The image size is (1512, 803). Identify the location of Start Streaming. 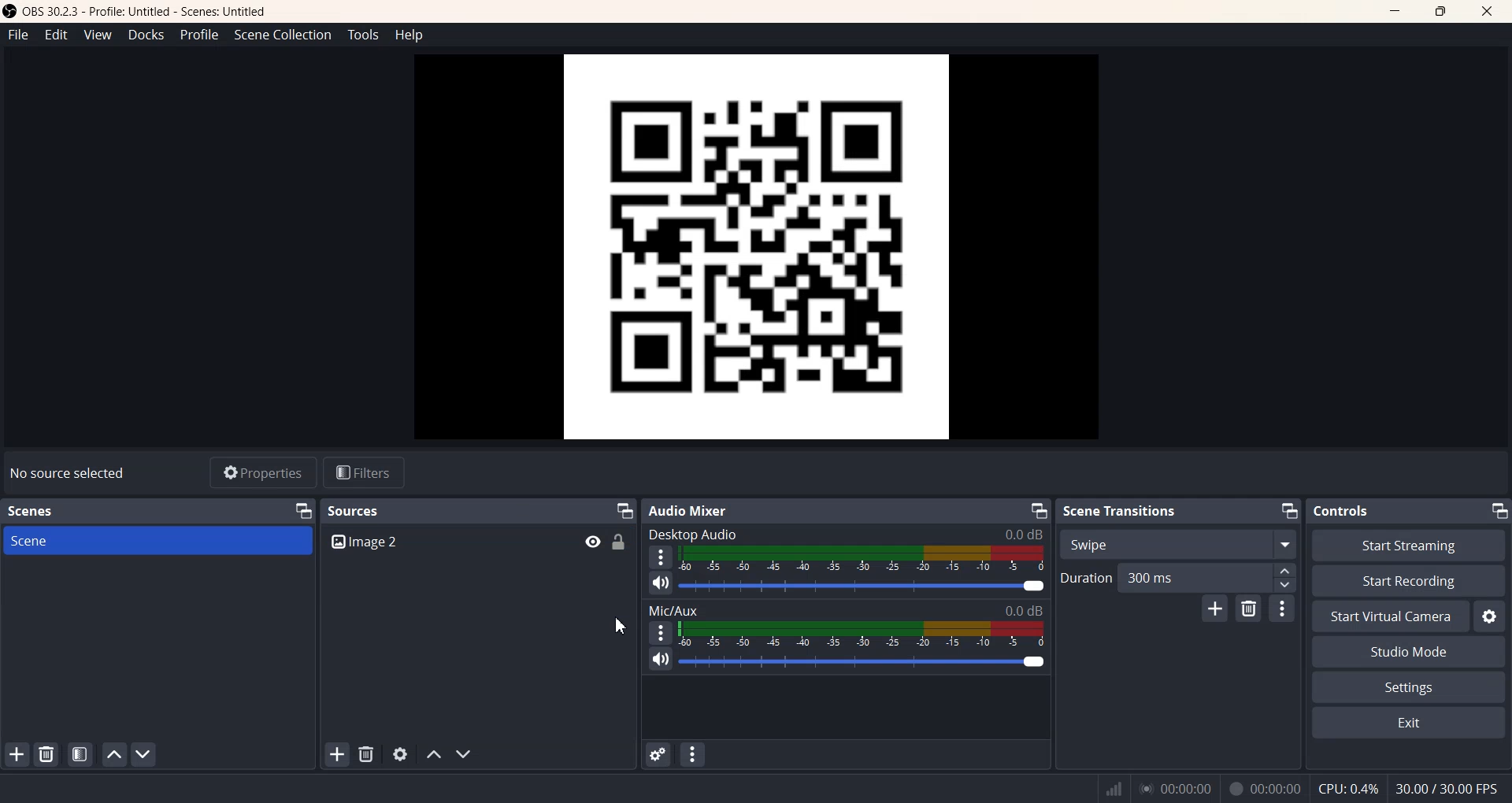
(1408, 544).